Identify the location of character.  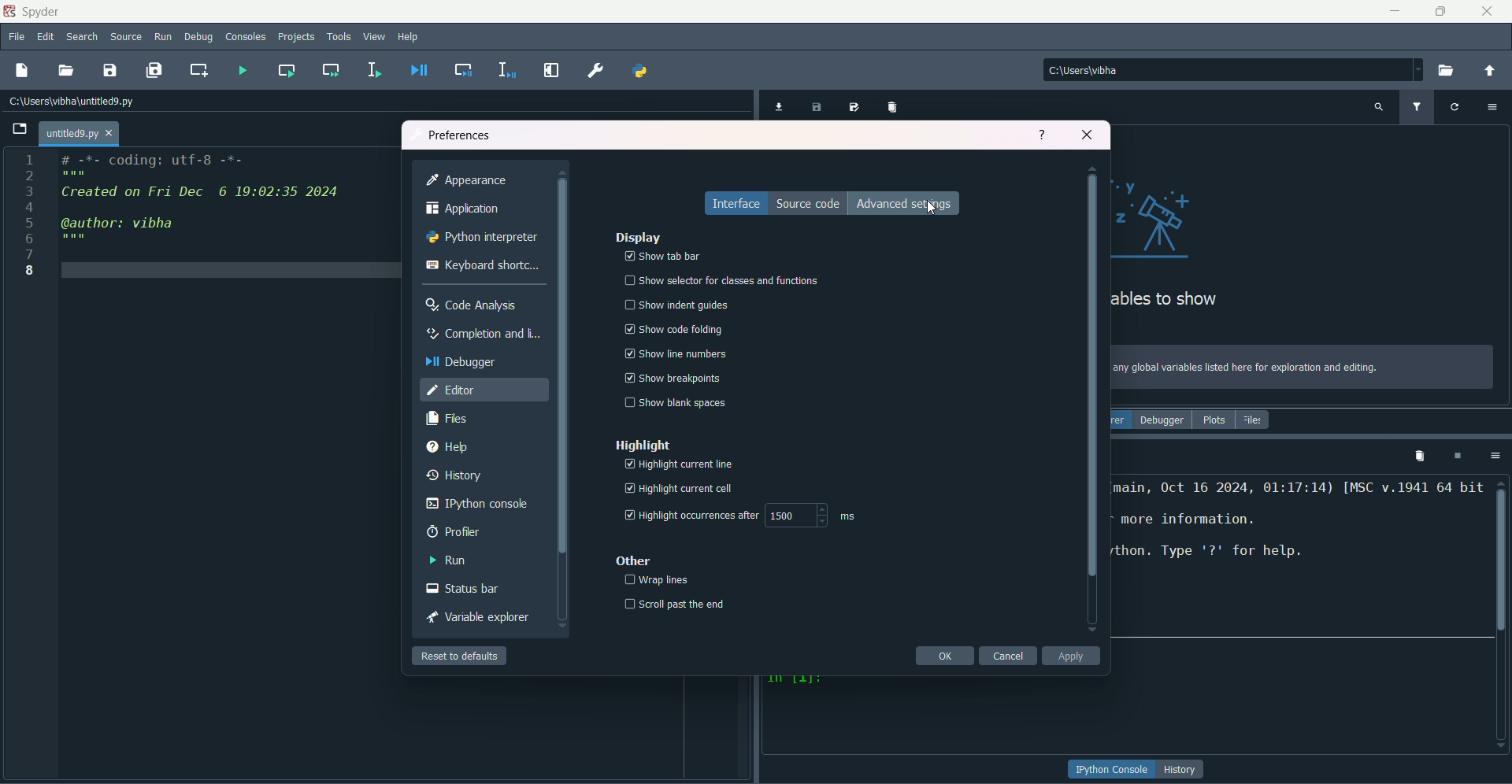
(796, 678).